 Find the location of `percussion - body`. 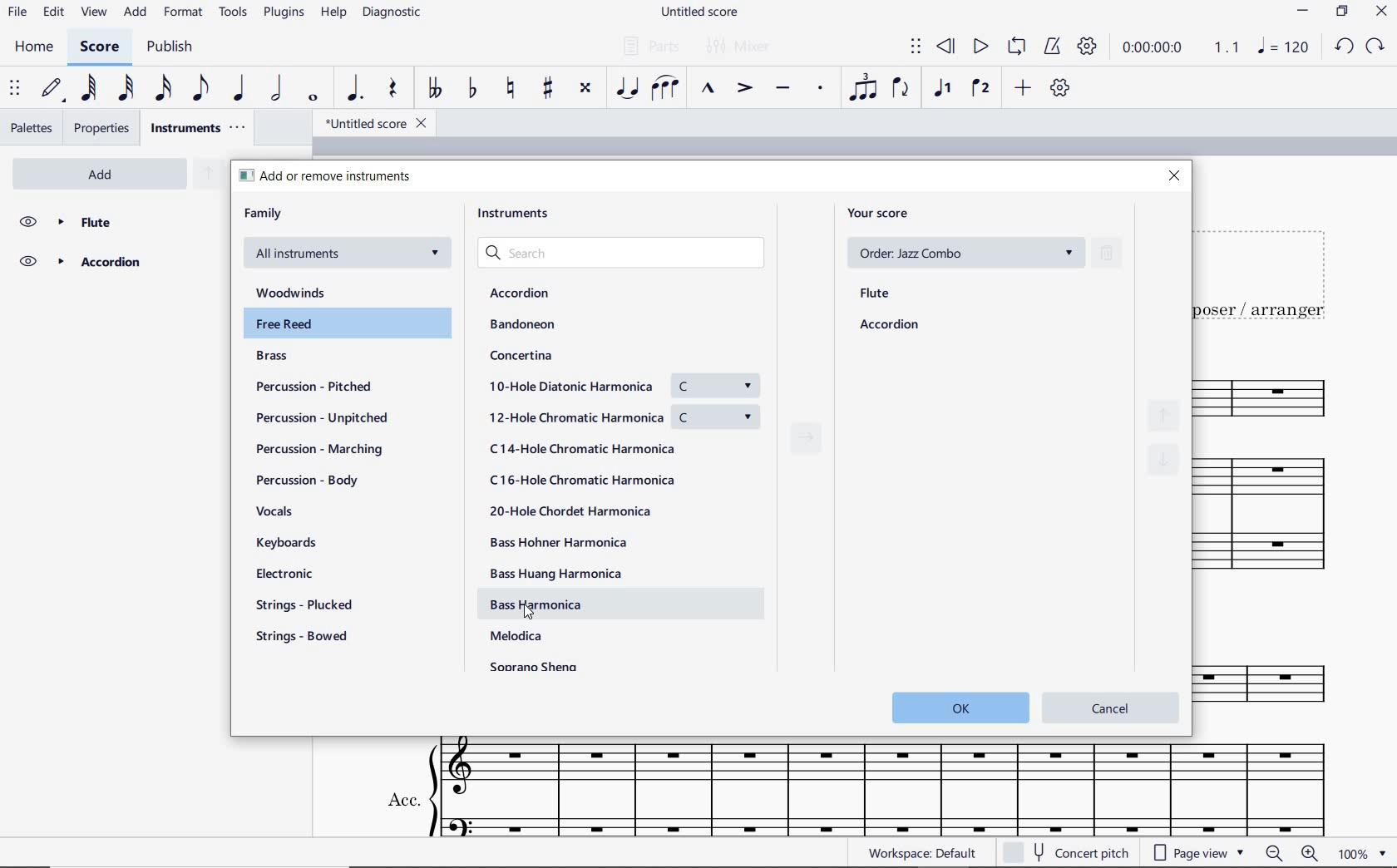

percussion - body is located at coordinates (303, 479).